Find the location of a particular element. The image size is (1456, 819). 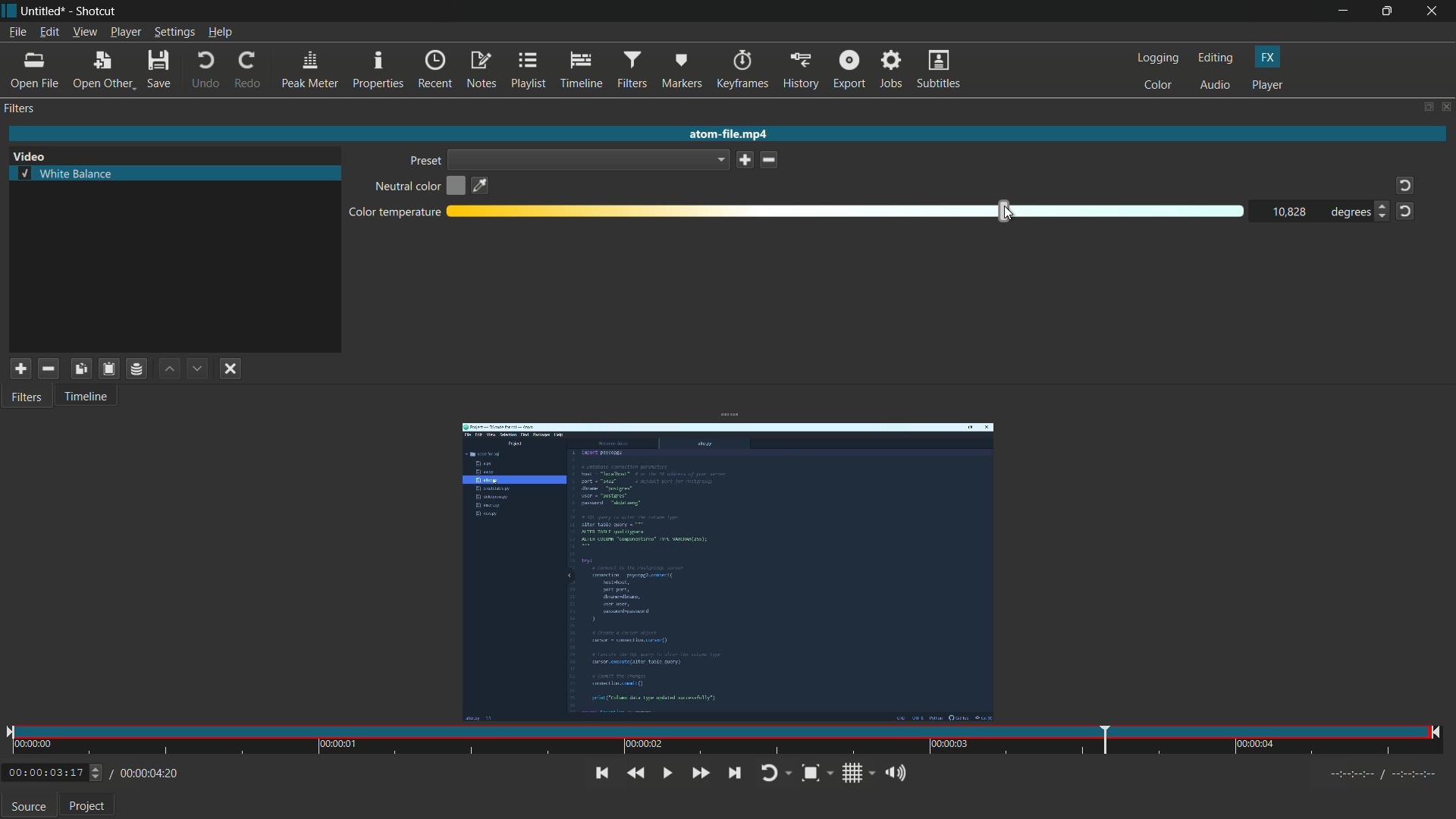

adjustment bar is located at coordinates (847, 212).